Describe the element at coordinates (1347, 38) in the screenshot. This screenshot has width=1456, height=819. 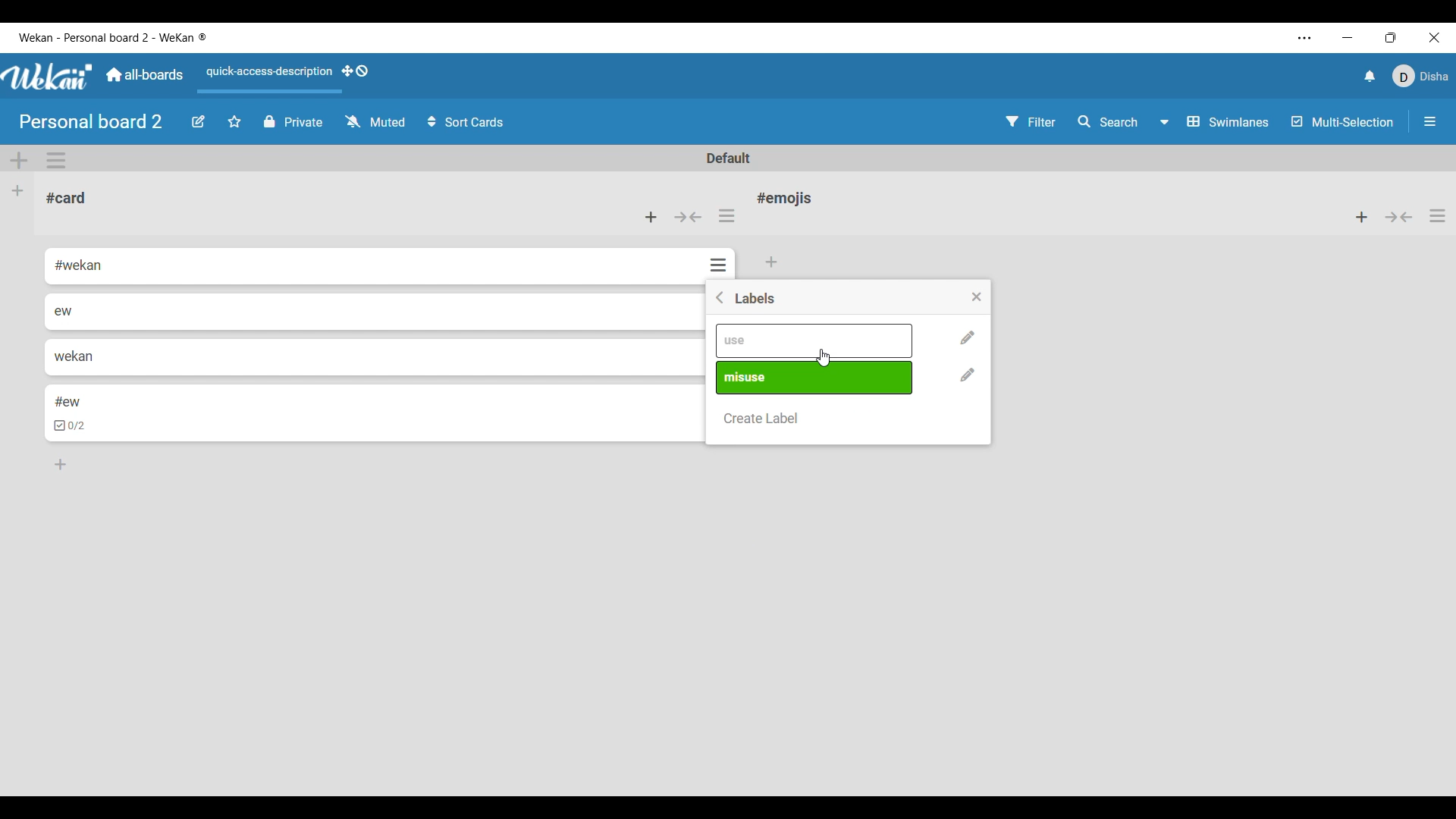
I see `Minimize` at that location.